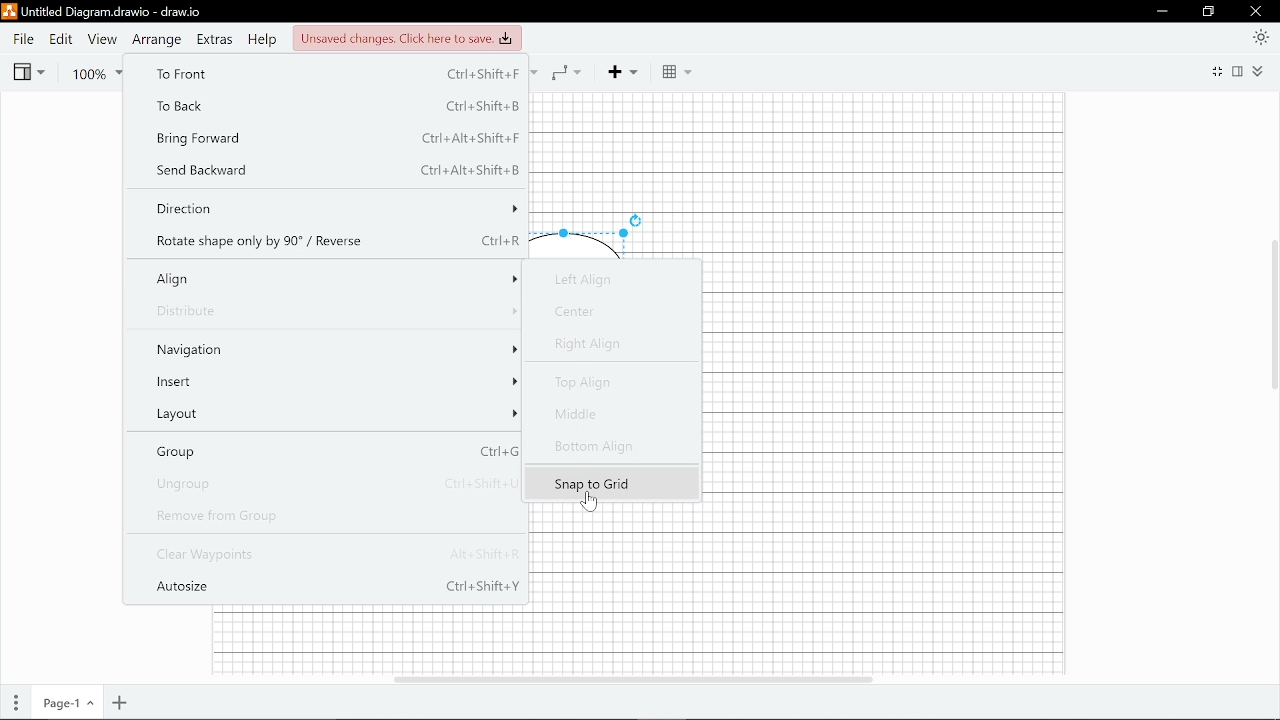 This screenshot has height=720, width=1280. Describe the element at coordinates (336, 106) in the screenshot. I see `To back Ctrl+Shift+B` at that location.